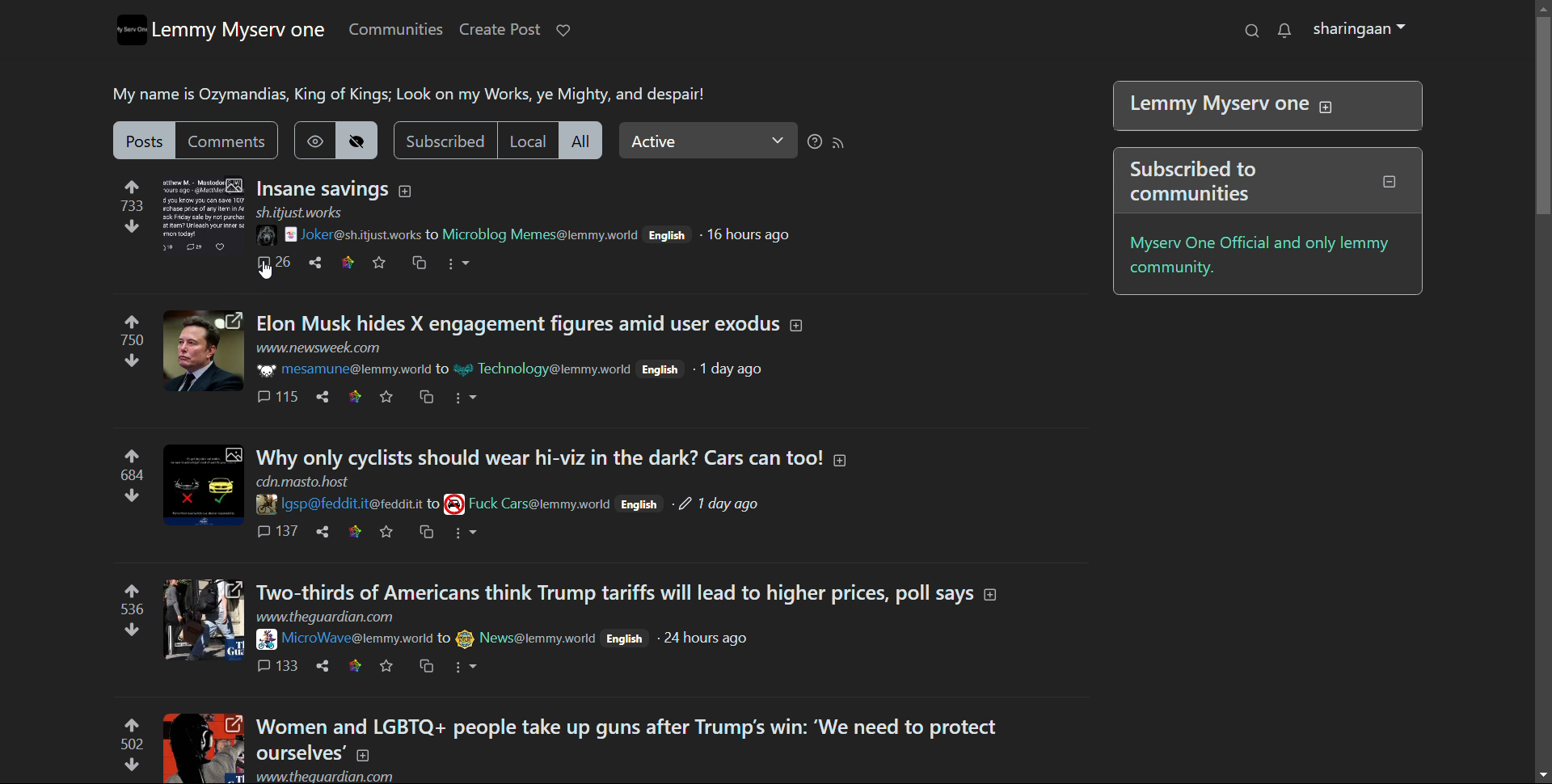 The width and height of the screenshot is (1552, 784). I want to click on Thumbnail, so click(203, 748).